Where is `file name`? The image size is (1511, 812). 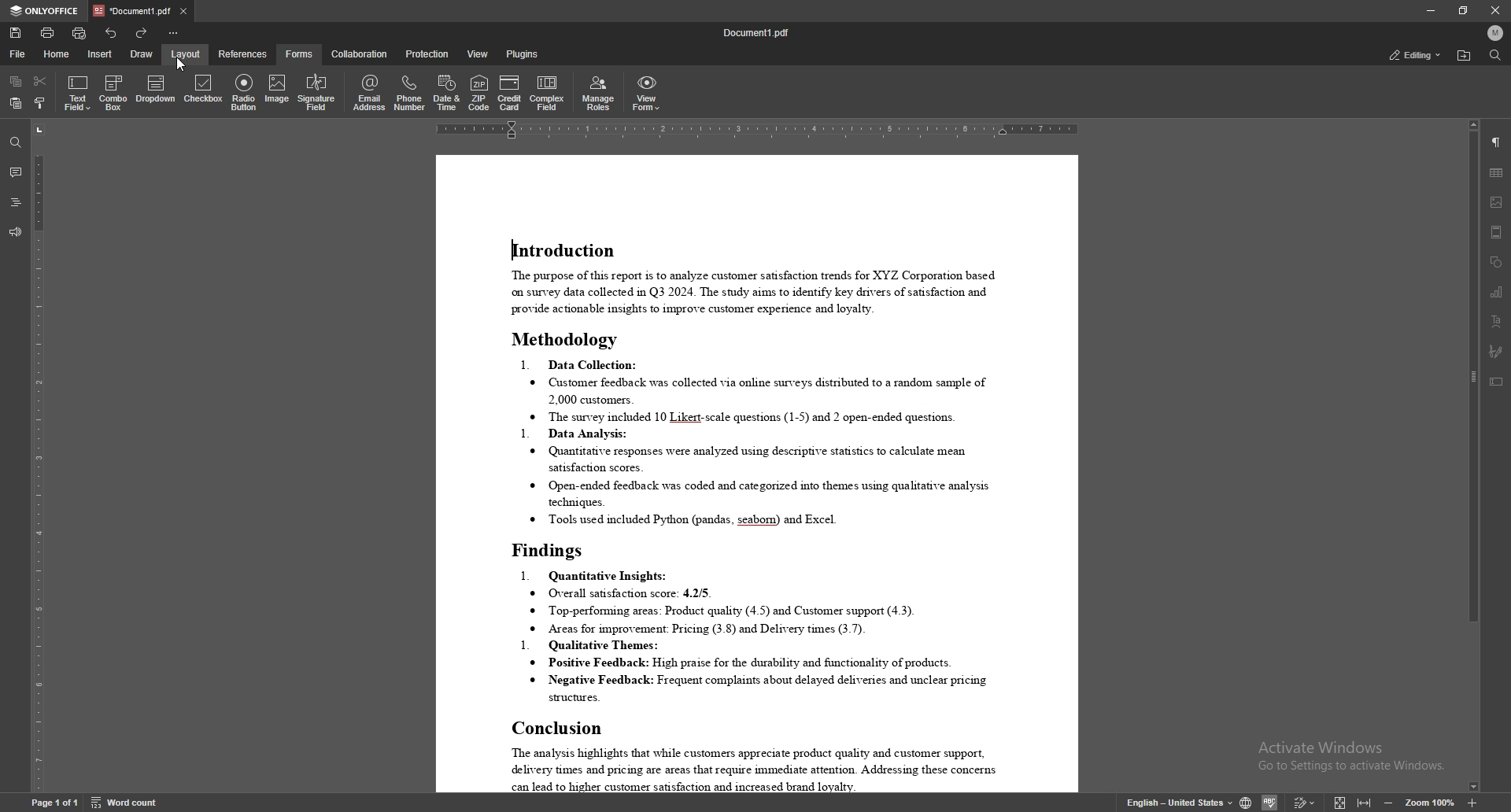 file name is located at coordinates (756, 31).